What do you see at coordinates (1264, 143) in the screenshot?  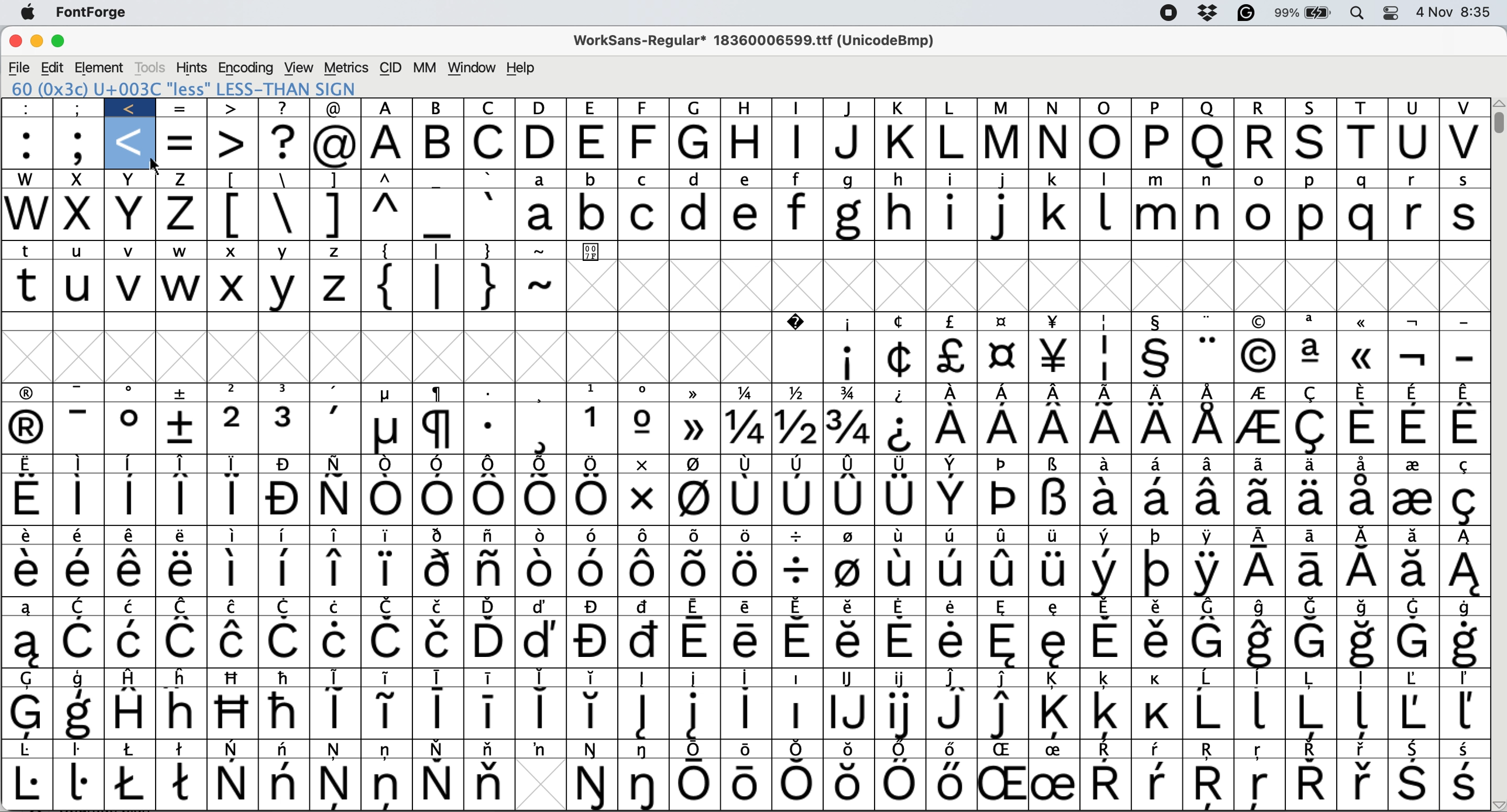 I see `r` at bounding box center [1264, 143].